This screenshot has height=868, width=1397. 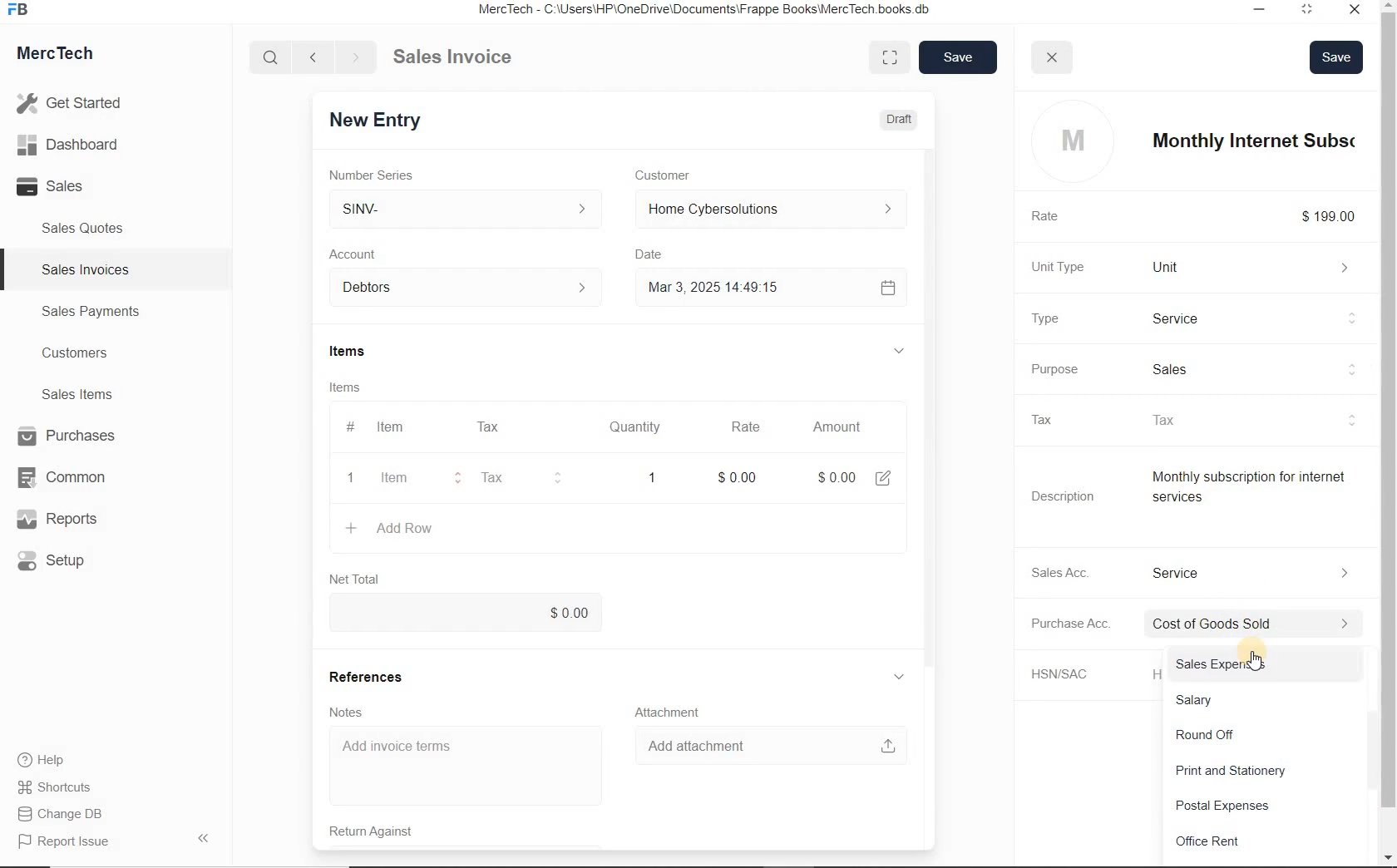 I want to click on Unit, so click(x=1260, y=267).